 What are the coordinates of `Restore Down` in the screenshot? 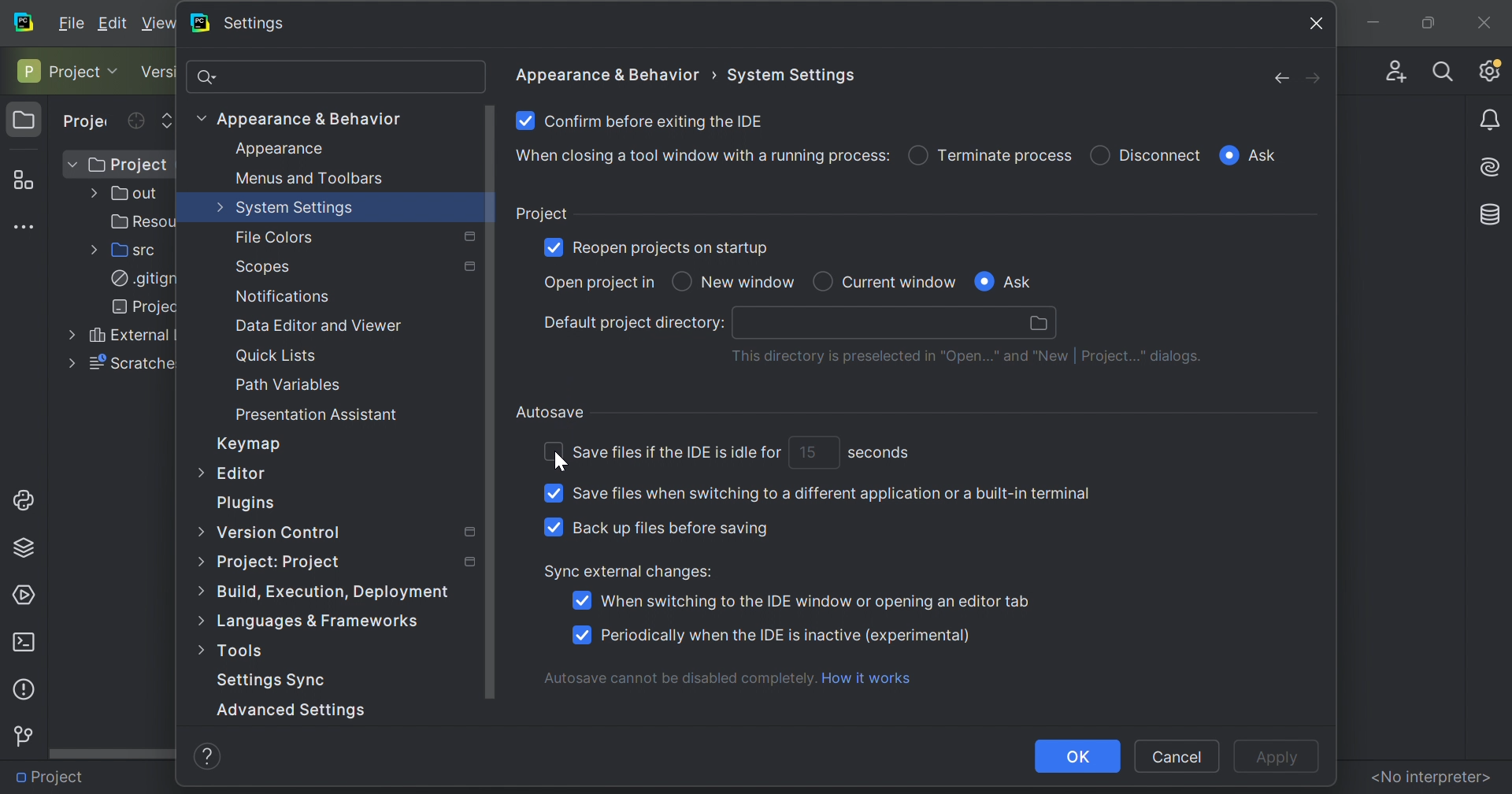 It's located at (1425, 22).